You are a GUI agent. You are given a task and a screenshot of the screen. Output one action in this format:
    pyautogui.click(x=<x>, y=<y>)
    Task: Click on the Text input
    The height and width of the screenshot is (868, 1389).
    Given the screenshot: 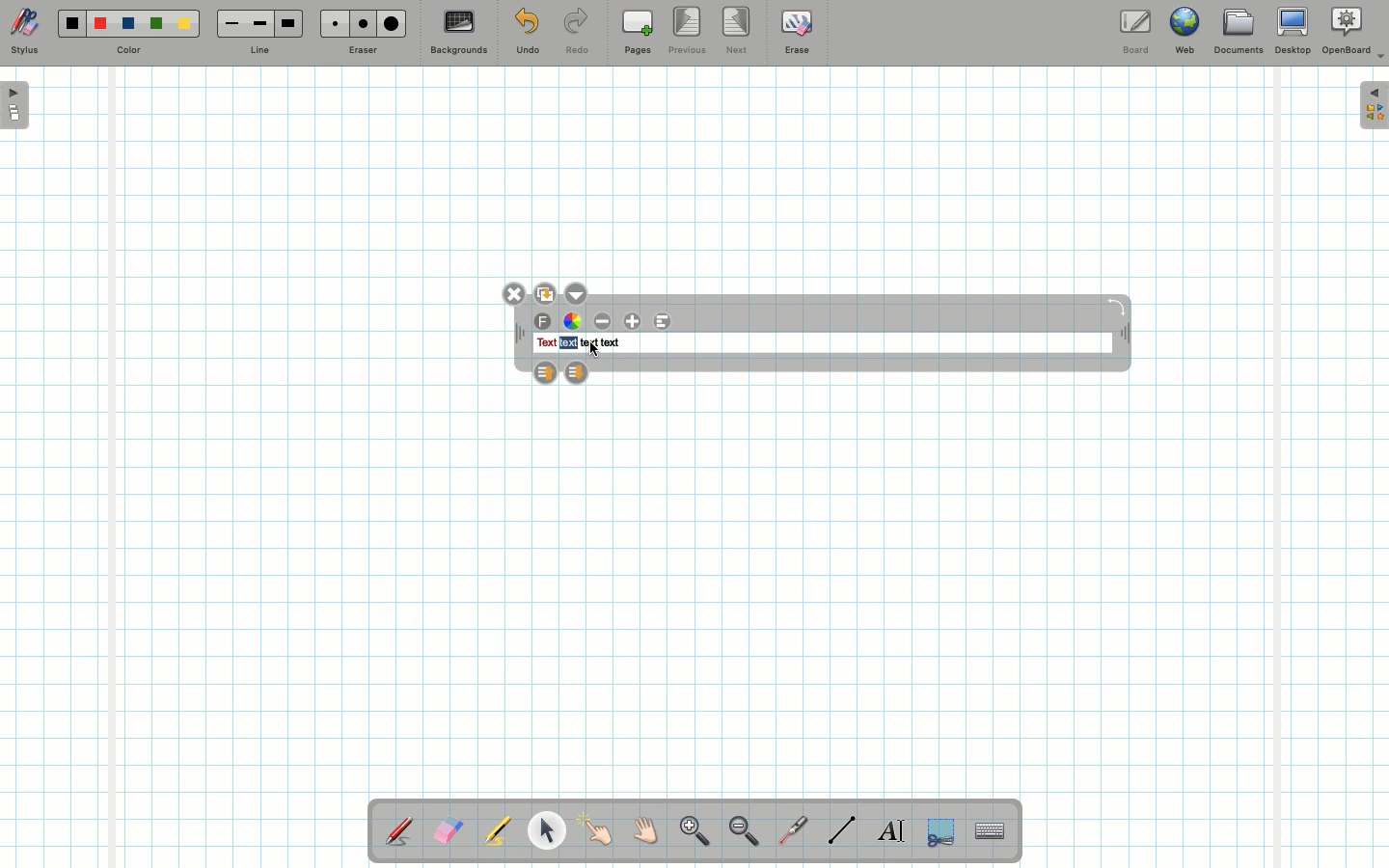 What is the action you would take?
    pyautogui.click(x=991, y=826)
    